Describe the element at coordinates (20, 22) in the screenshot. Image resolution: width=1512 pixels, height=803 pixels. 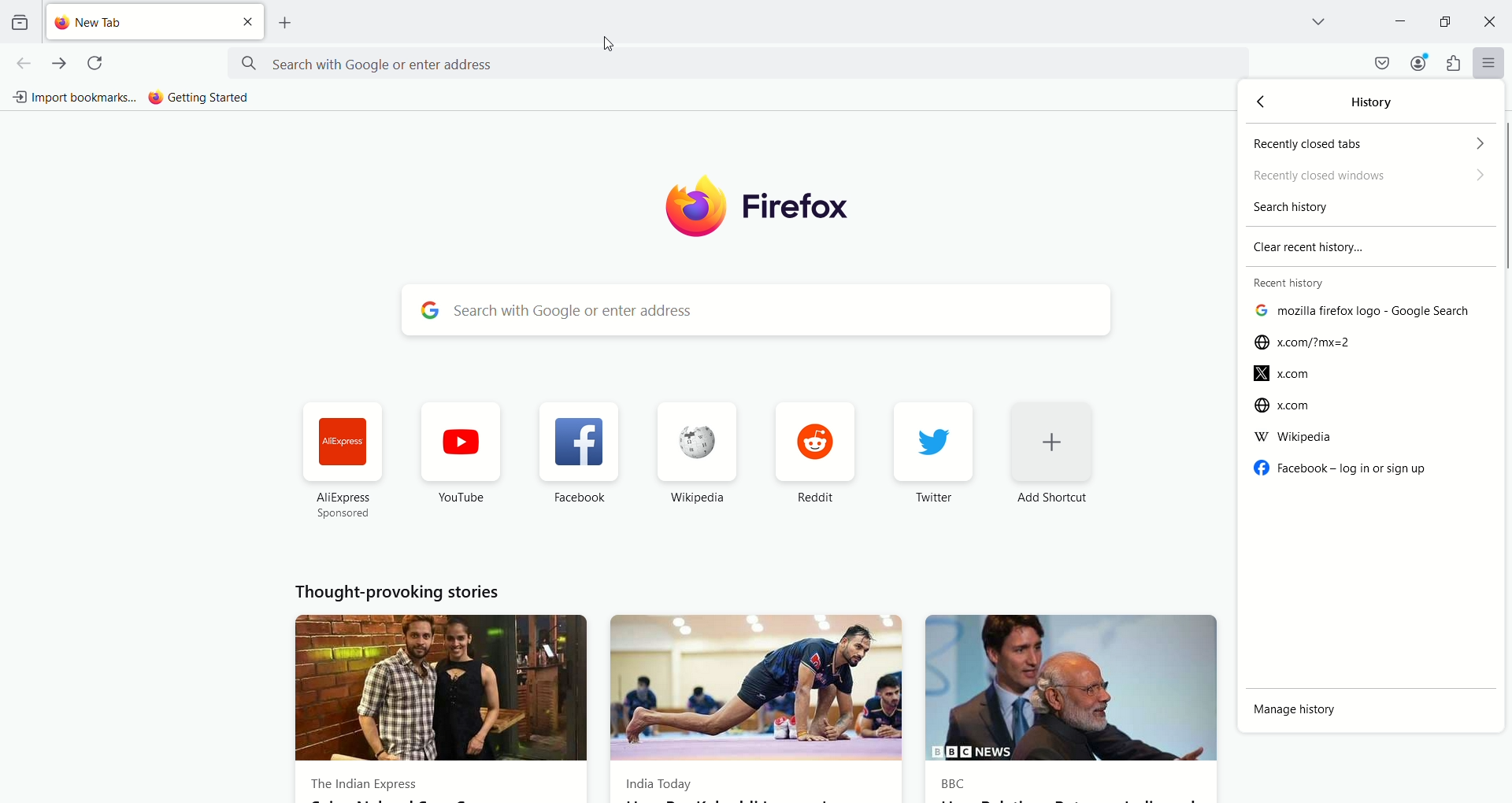
I see `view recent browsing across windows and devices` at that location.